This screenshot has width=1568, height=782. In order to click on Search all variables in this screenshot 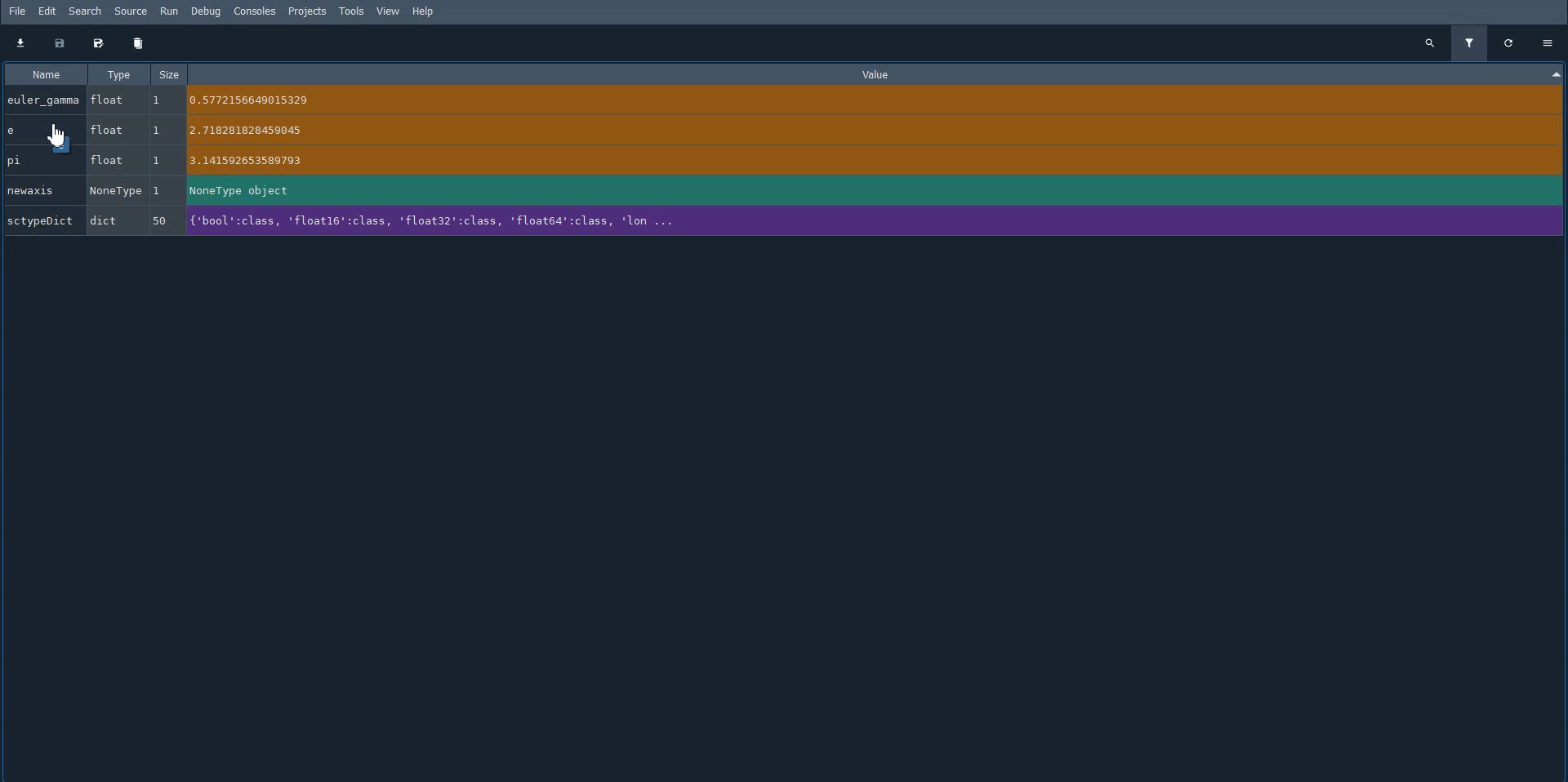, I will do `click(1430, 42)`.